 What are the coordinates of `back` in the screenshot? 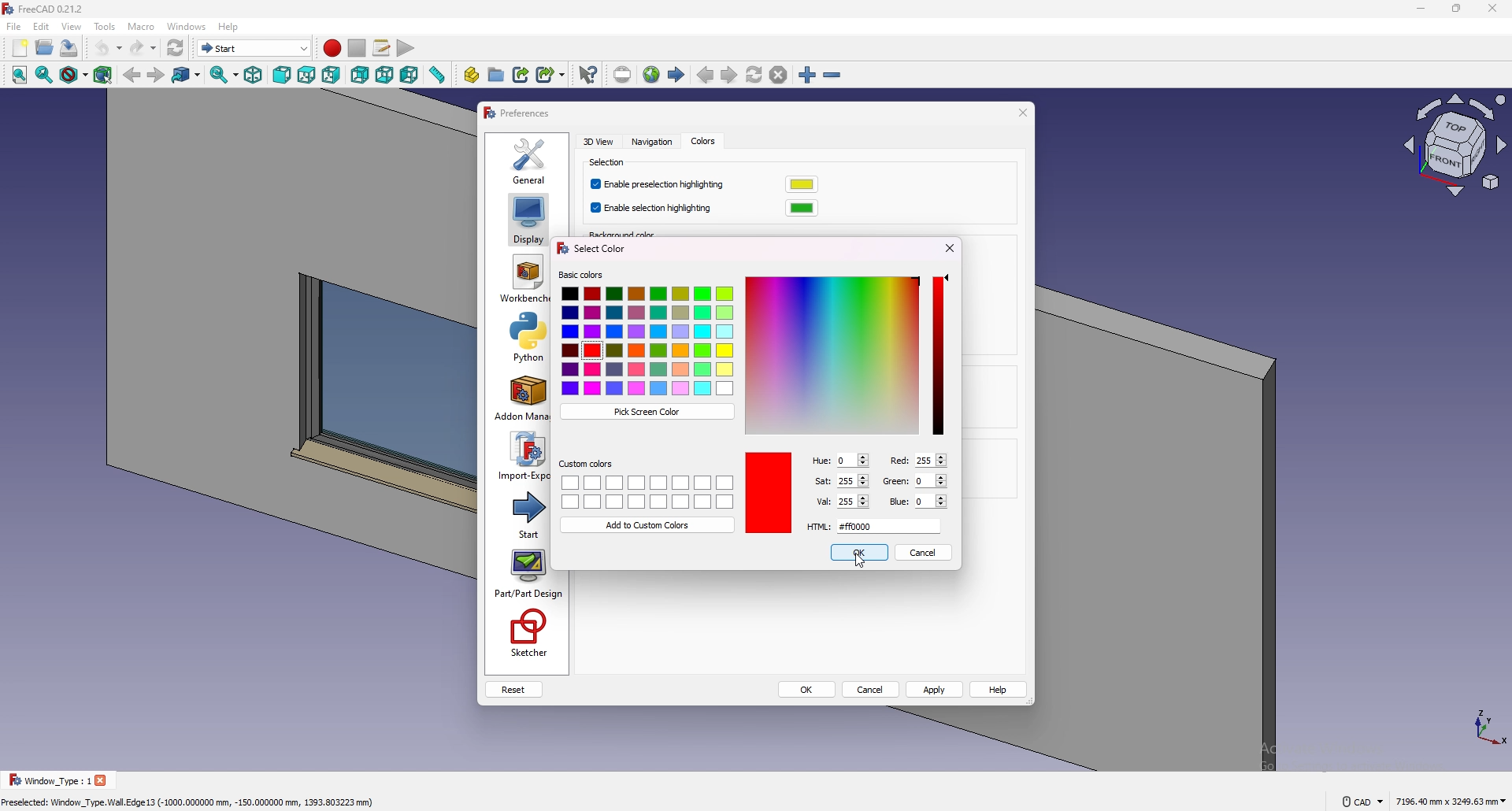 It's located at (132, 76).